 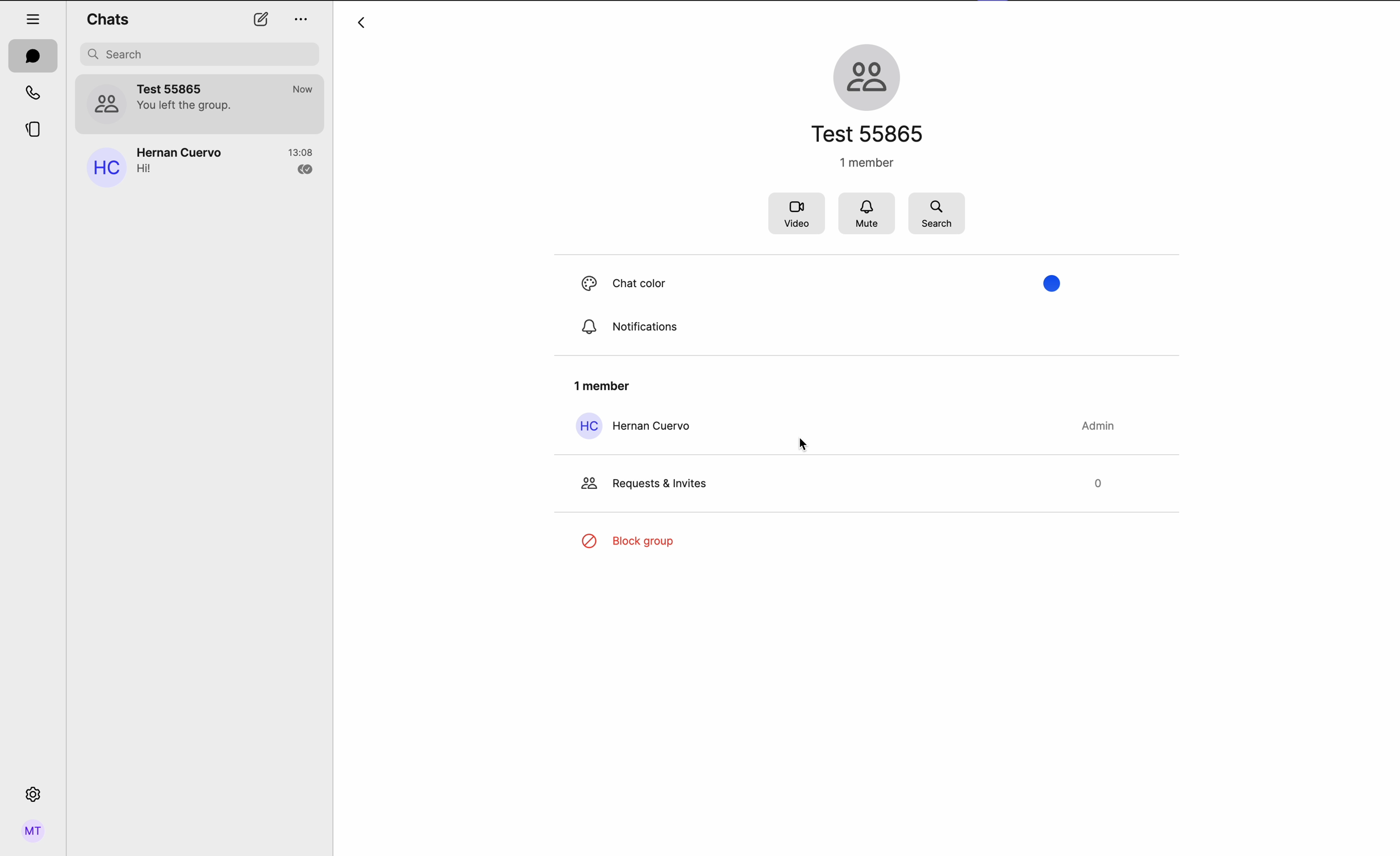 What do you see at coordinates (657, 423) in the screenshot?
I see `Hernan Cuervo` at bounding box center [657, 423].